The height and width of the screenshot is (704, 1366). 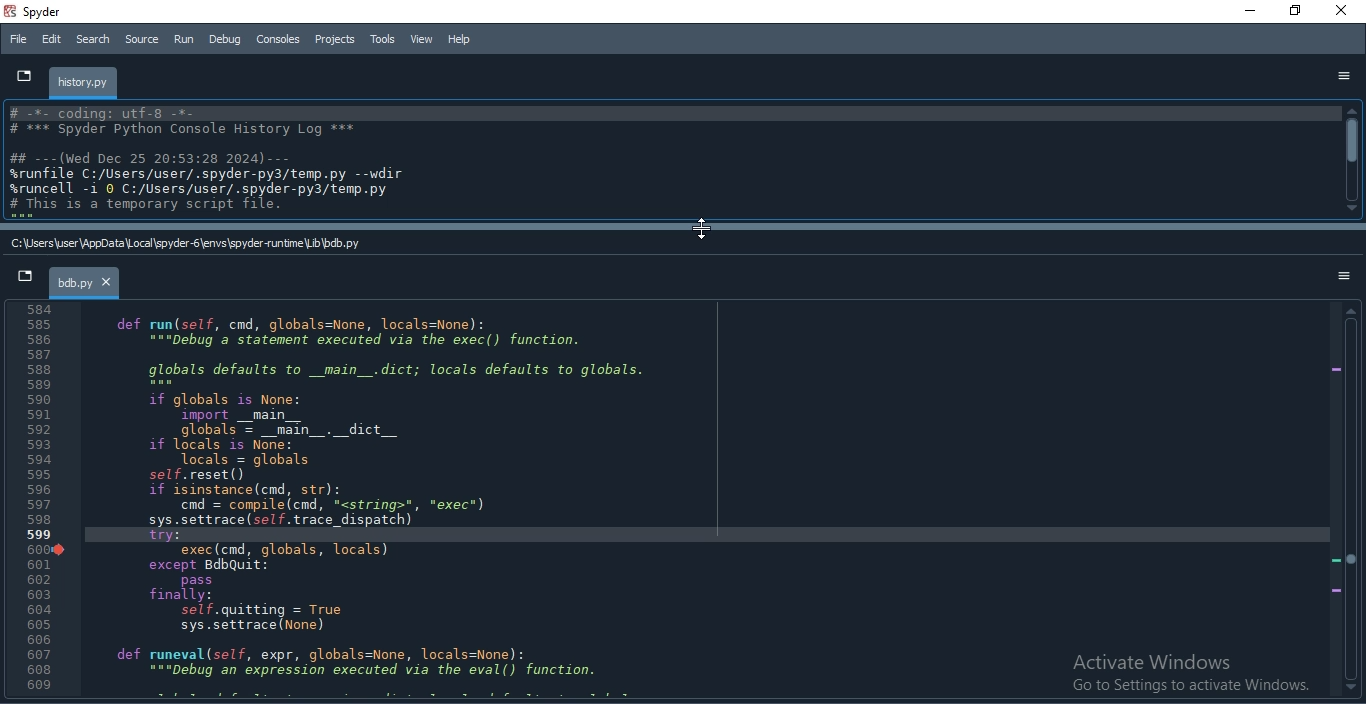 I want to click on Search, so click(x=92, y=40).